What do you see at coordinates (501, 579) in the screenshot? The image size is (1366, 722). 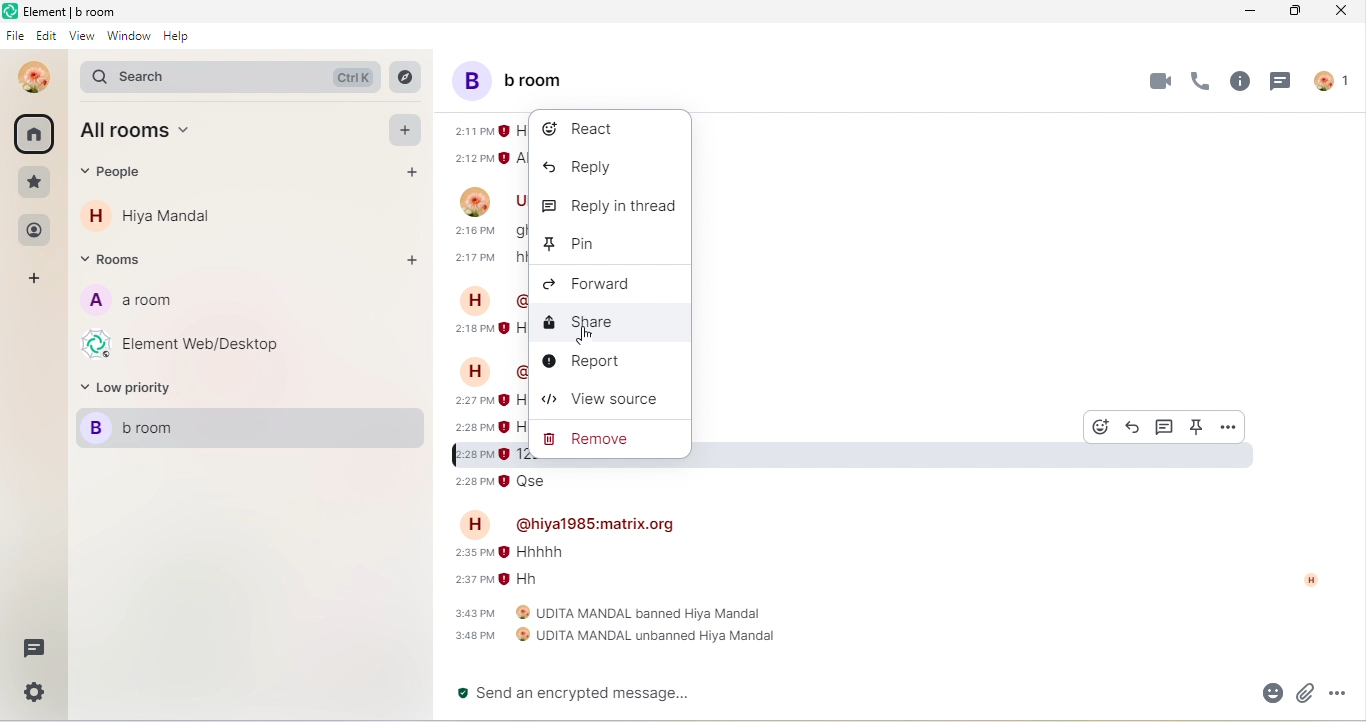 I see `2:37 pm Hh` at bounding box center [501, 579].